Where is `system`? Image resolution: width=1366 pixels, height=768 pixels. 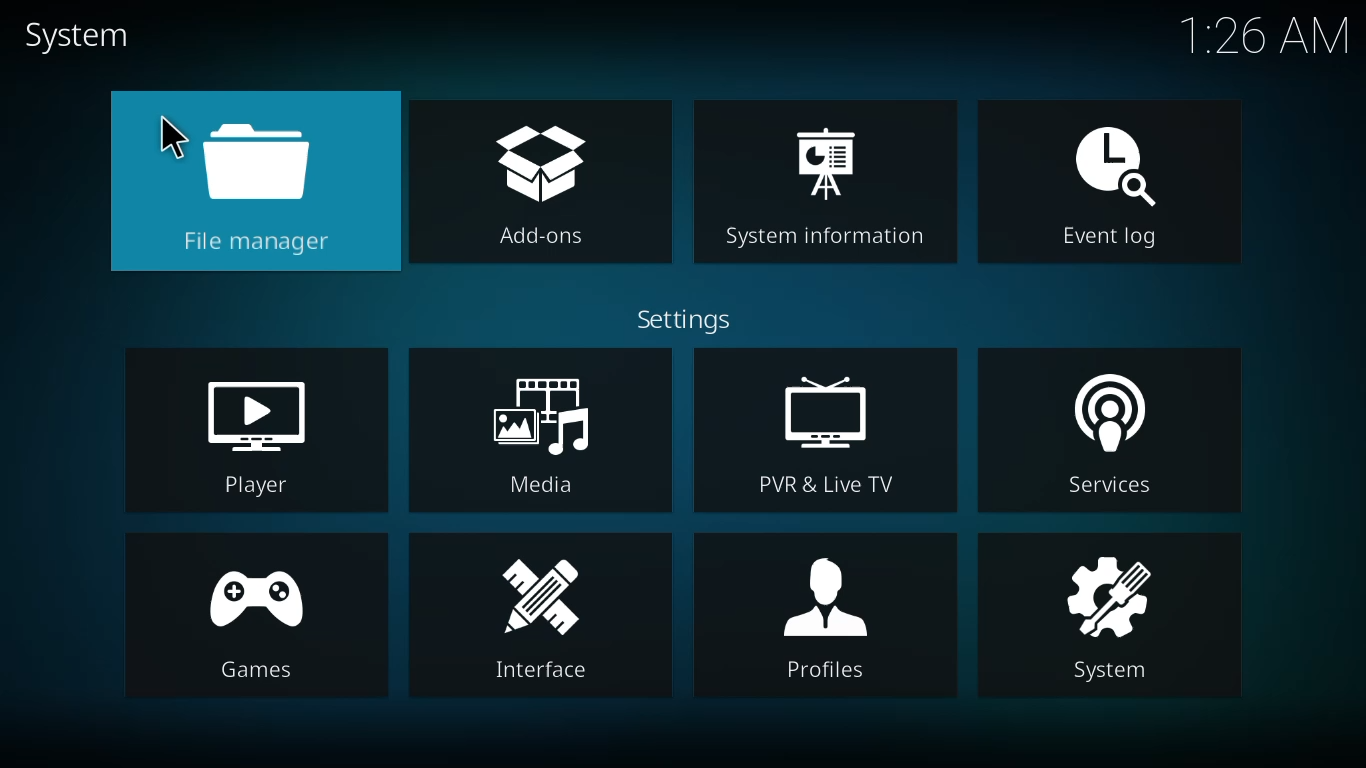
system is located at coordinates (83, 35).